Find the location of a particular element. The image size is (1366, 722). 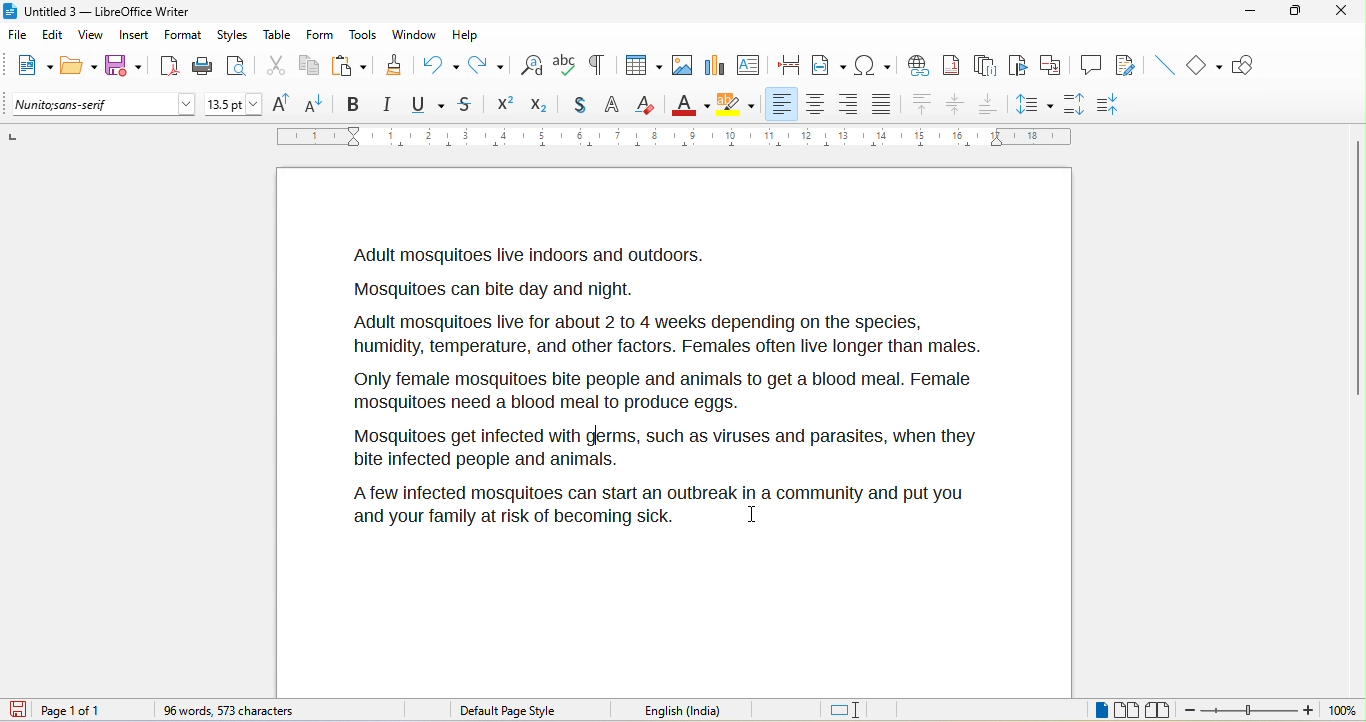

strikethrough is located at coordinates (466, 106).